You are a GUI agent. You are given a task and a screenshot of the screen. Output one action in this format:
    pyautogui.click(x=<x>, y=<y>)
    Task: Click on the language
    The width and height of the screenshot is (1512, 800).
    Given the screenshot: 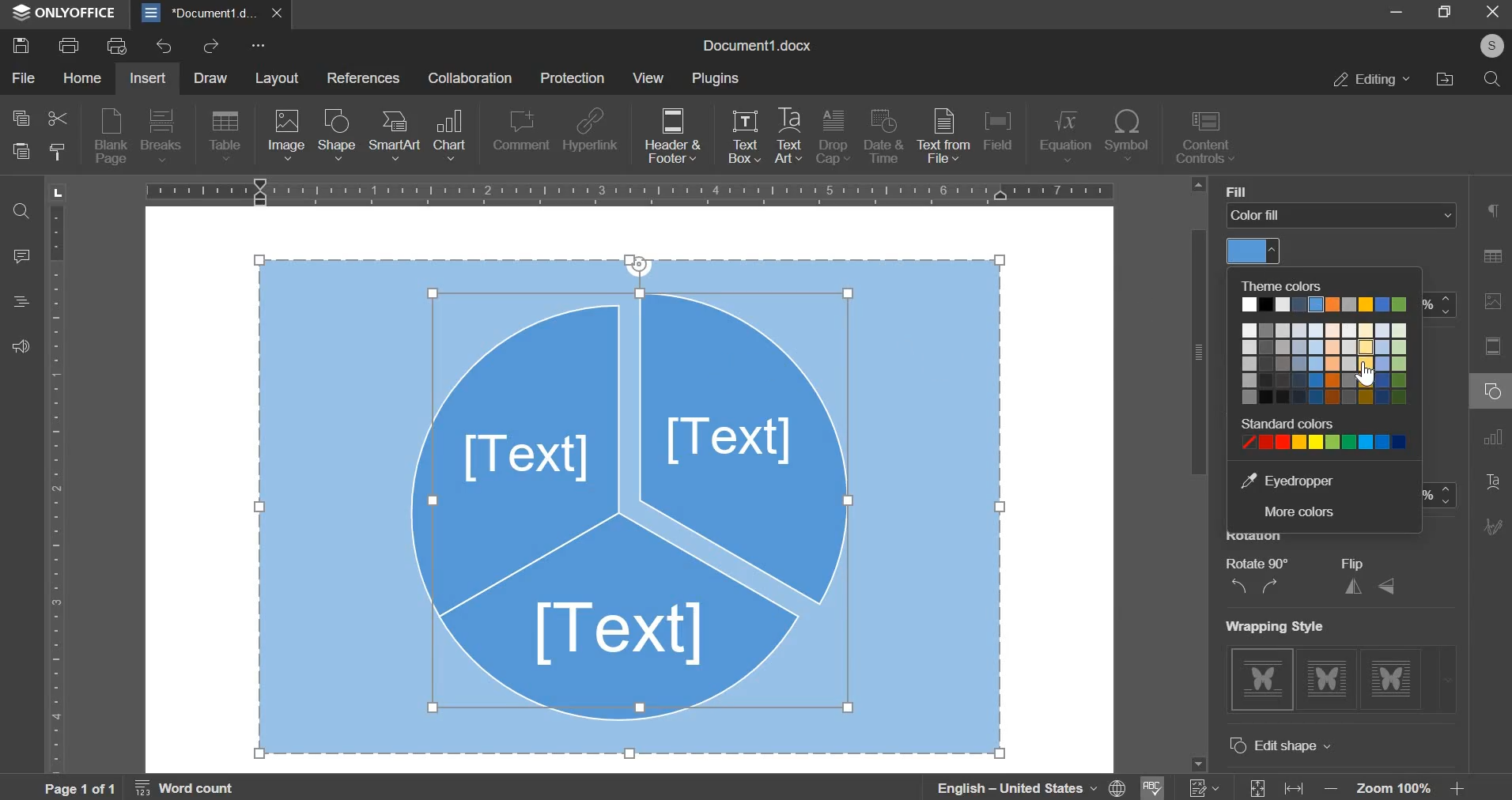 What is the action you would take?
    pyautogui.click(x=1018, y=787)
    